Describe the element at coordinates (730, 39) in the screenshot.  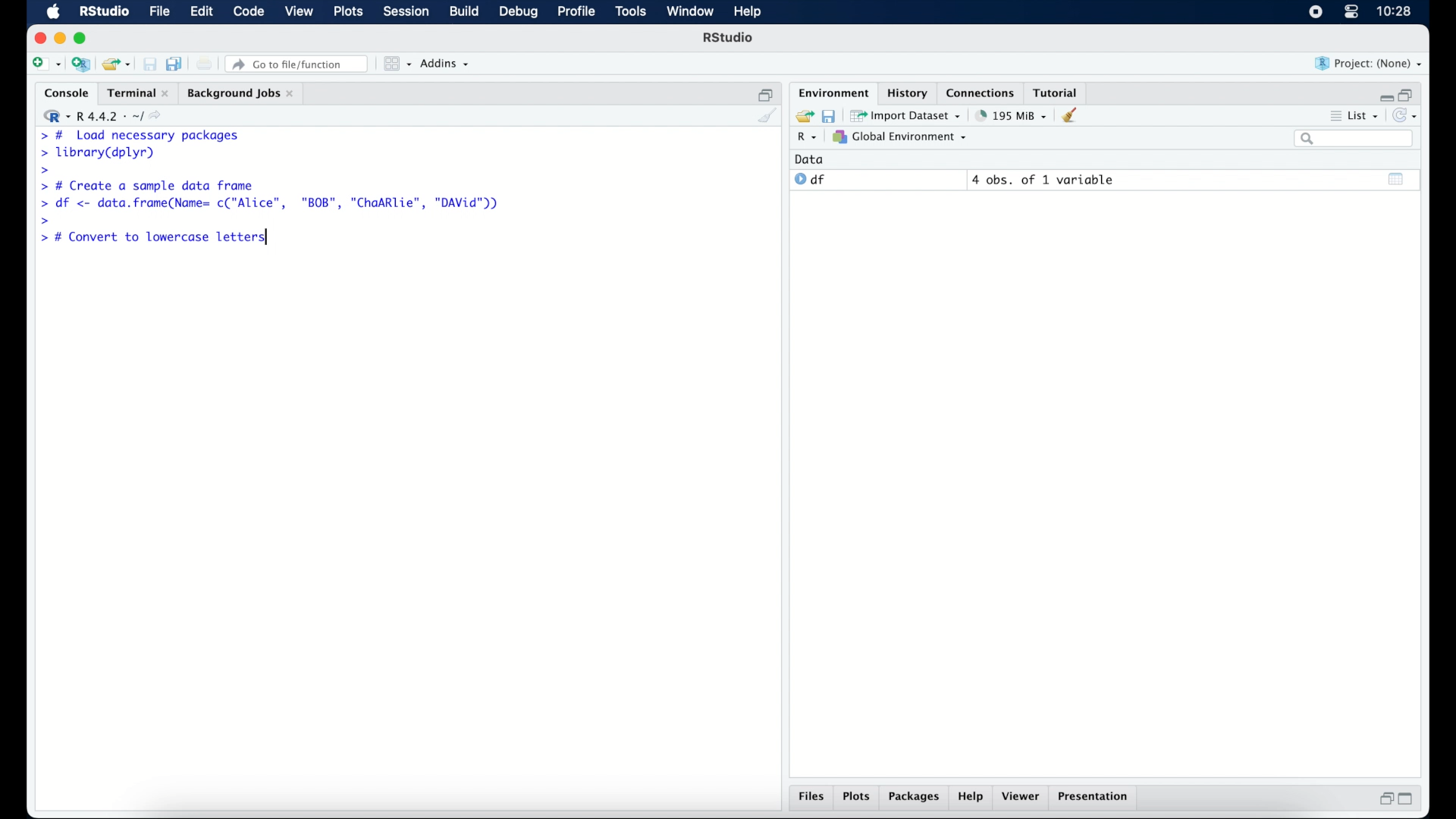
I see `R Studio` at that location.